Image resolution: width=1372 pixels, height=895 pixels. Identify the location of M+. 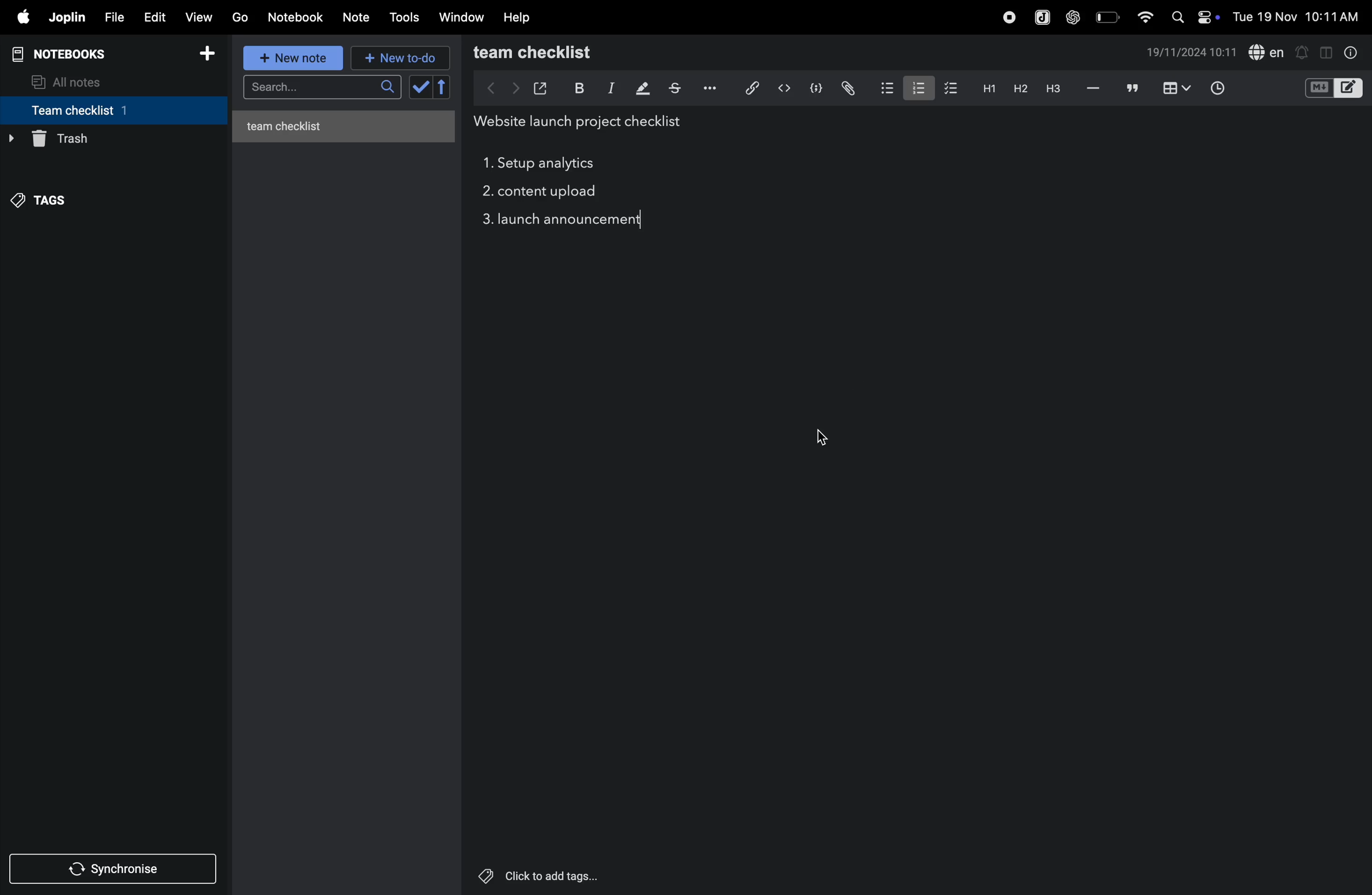
(1318, 88).